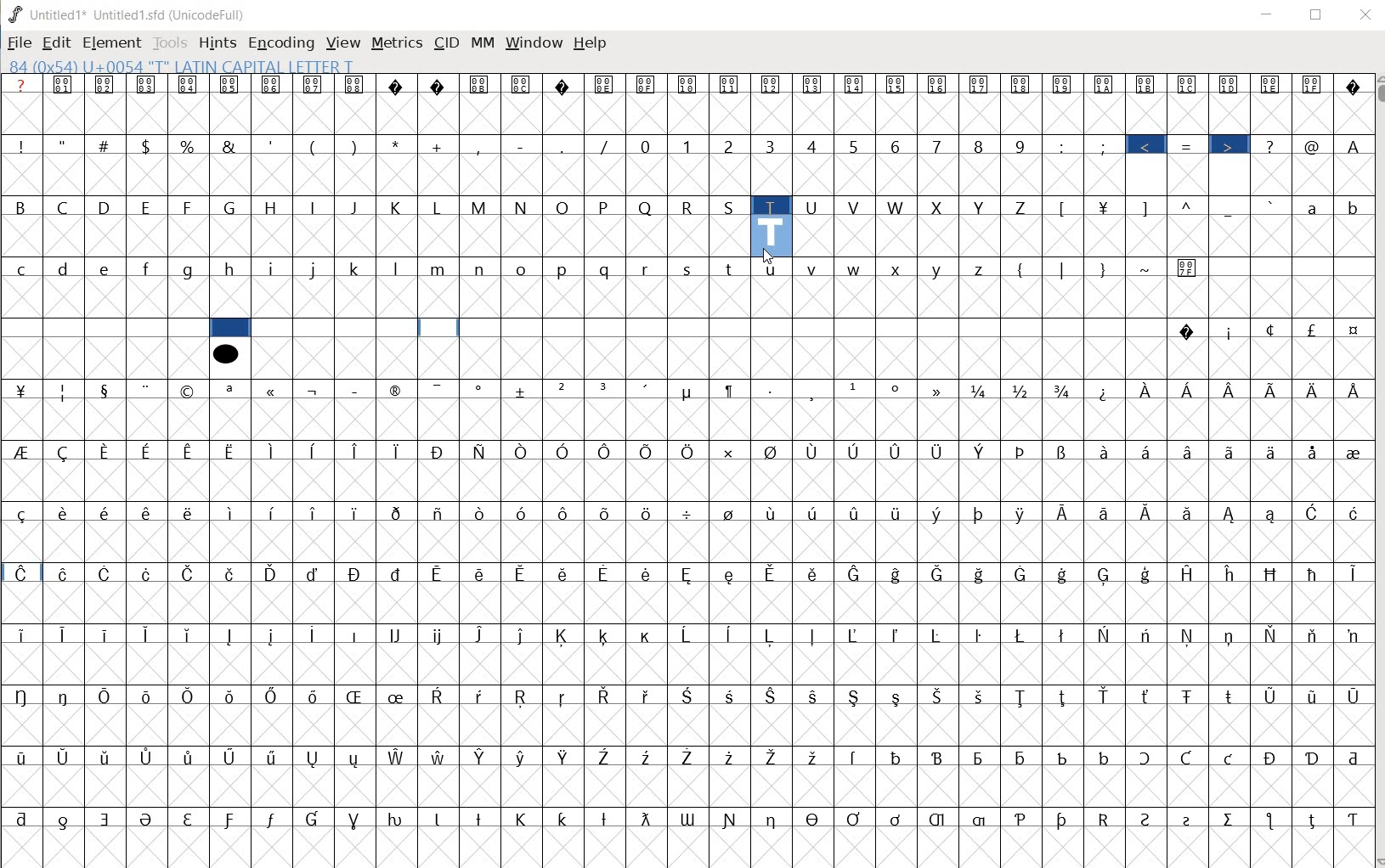 The width and height of the screenshot is (1385, 868). Describe the element at coordinates (1190, 206) in the screenshot. I see `^` at that location.